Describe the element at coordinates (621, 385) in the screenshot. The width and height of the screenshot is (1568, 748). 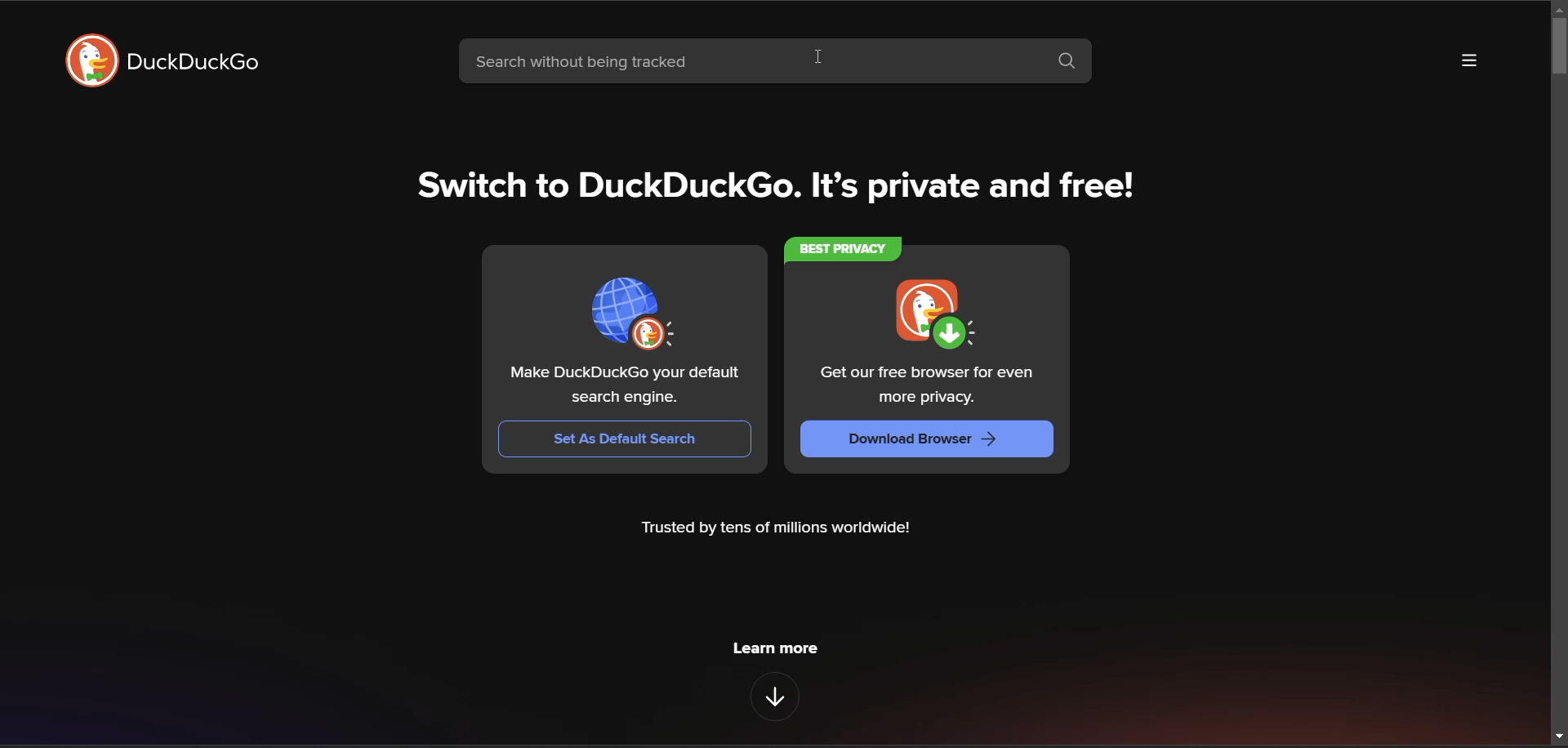
I see `Make DuckDuckGo your default search engine.` at that location.